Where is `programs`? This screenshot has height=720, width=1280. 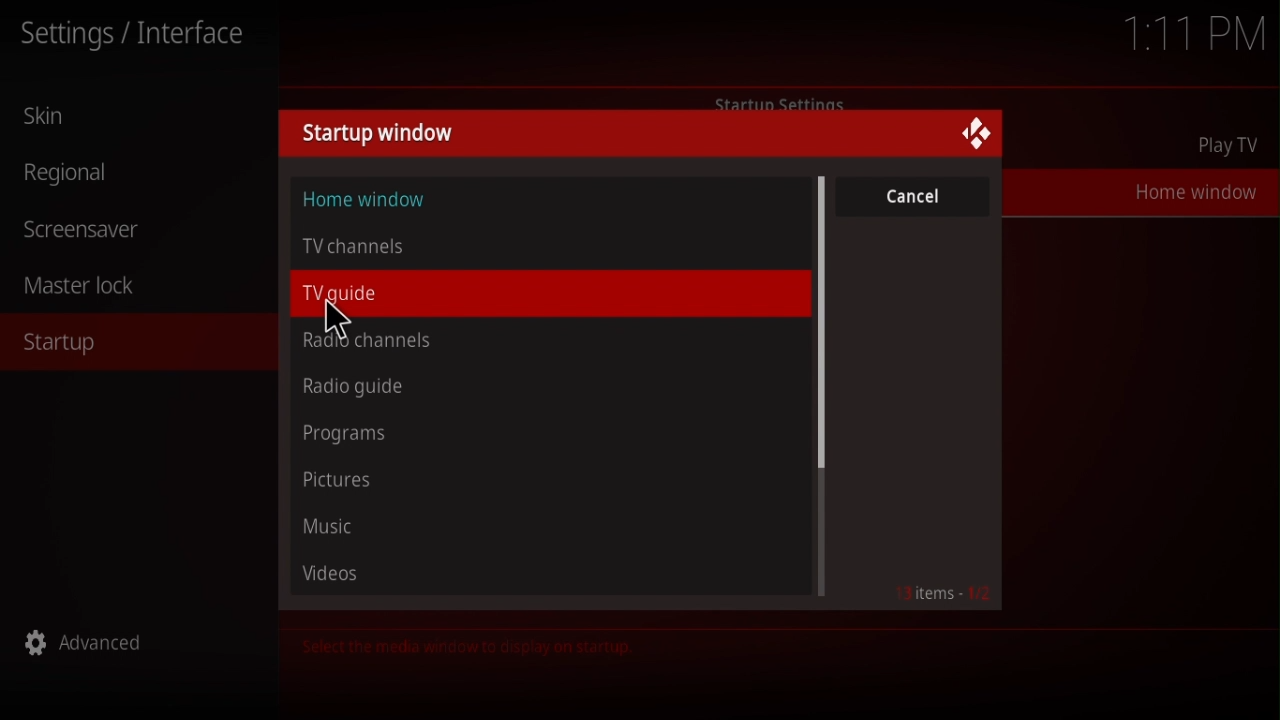 programs is located at coordinates (351, 433).